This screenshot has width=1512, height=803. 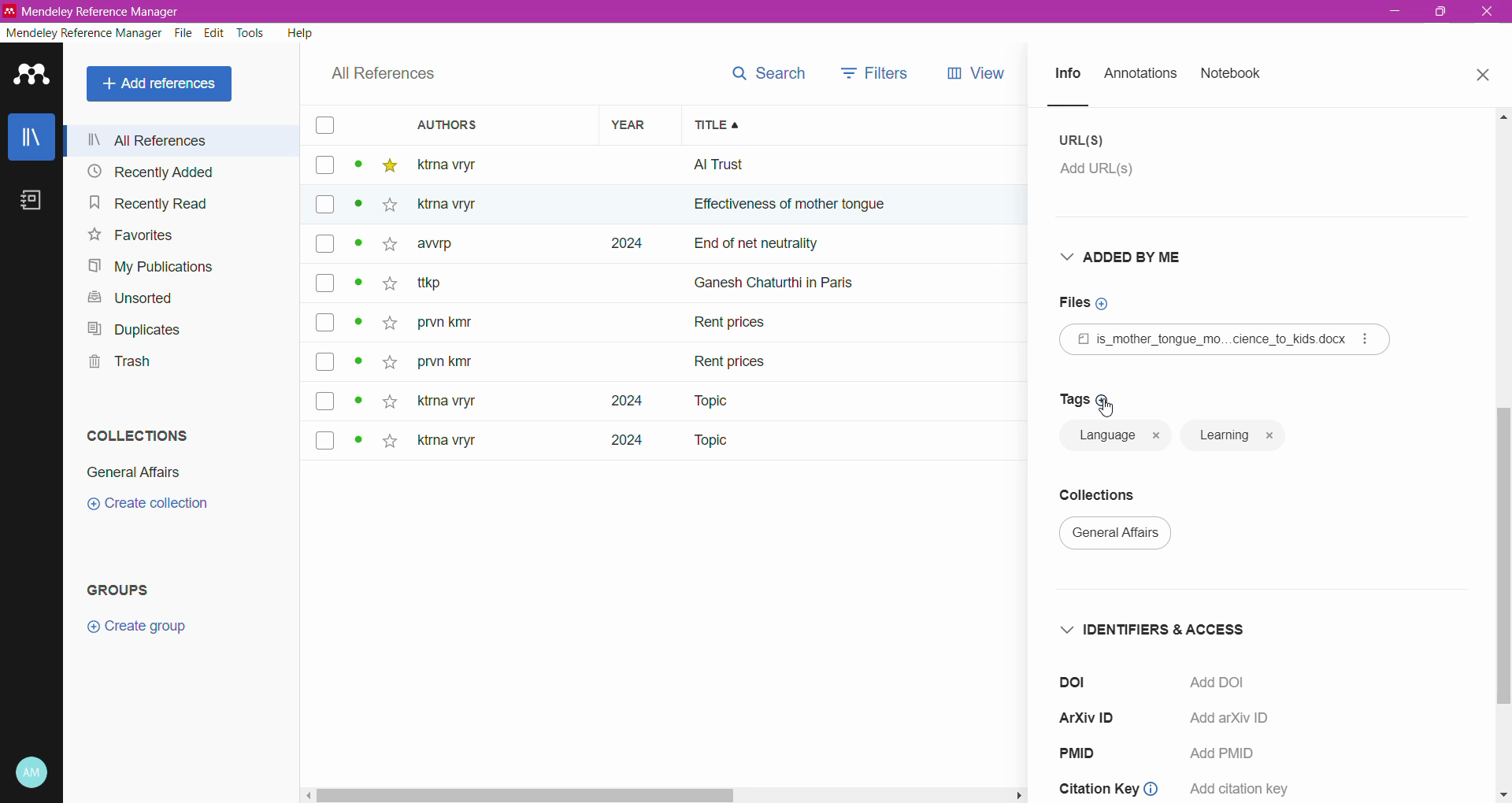 I want to click on Click to add URL(s), so click(x=1107, y=173).